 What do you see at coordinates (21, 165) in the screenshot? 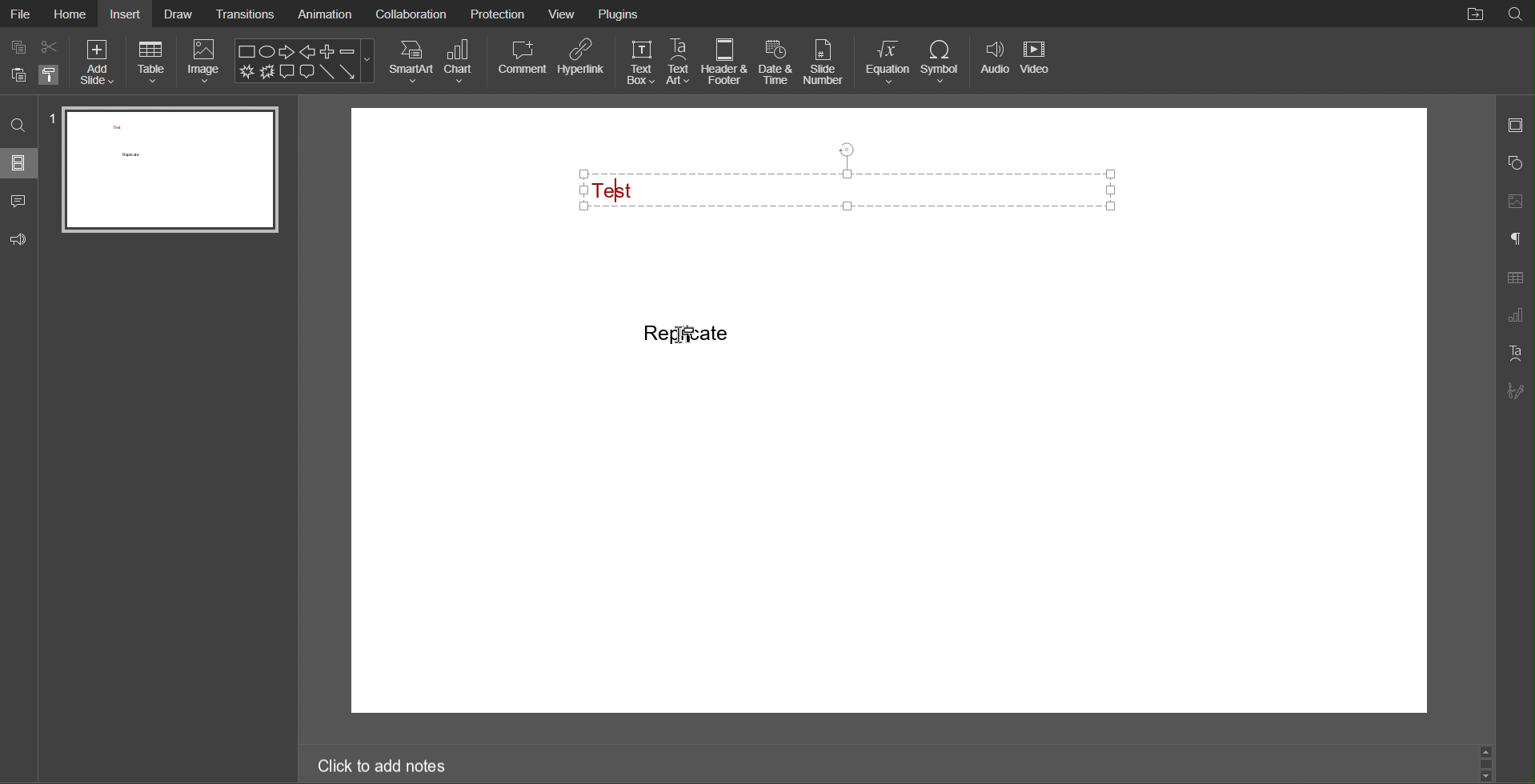
I see `Slides` at bounding box center [21, 165].